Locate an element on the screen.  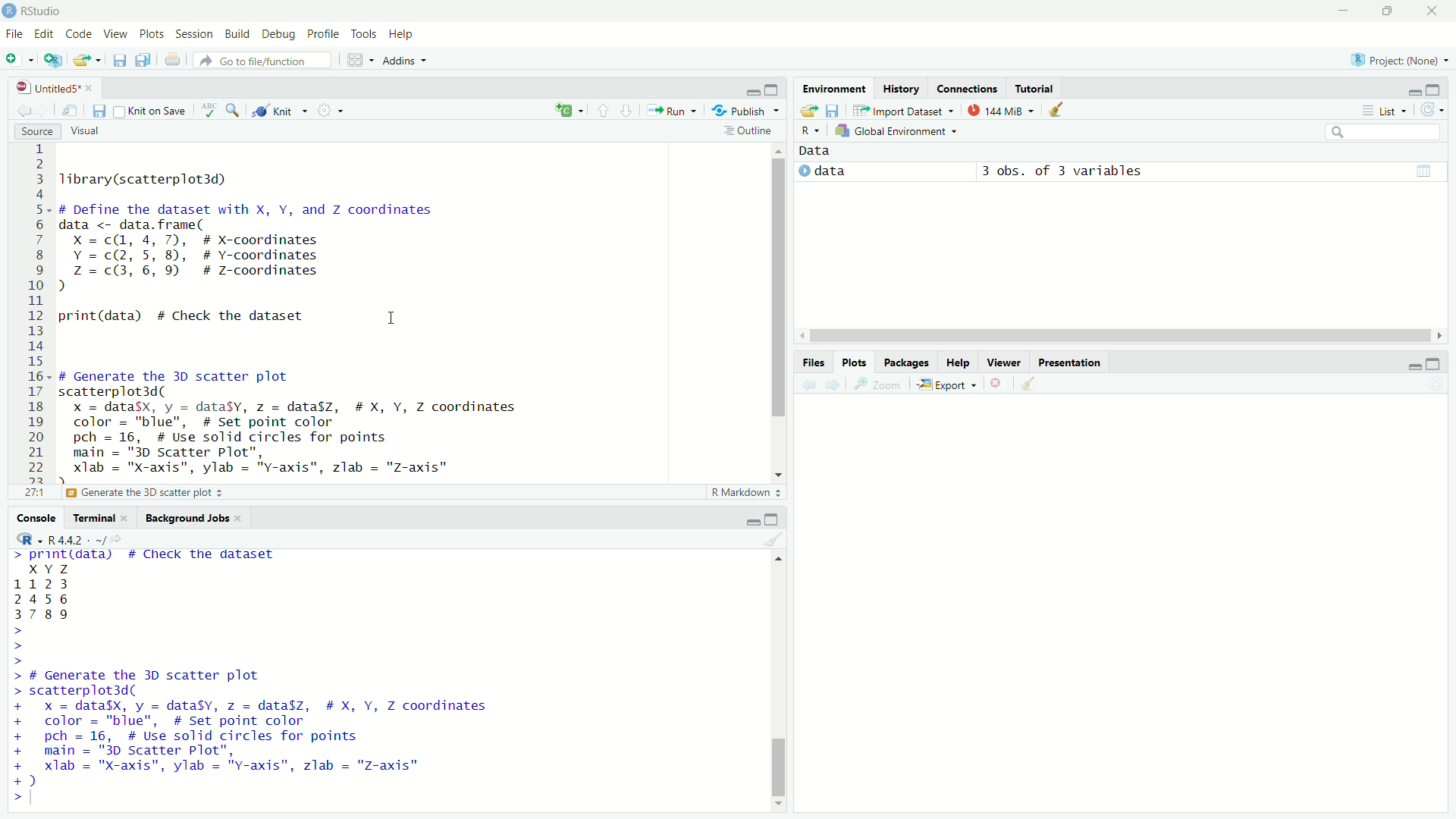
line numbers is located at coordinates (36, 312).